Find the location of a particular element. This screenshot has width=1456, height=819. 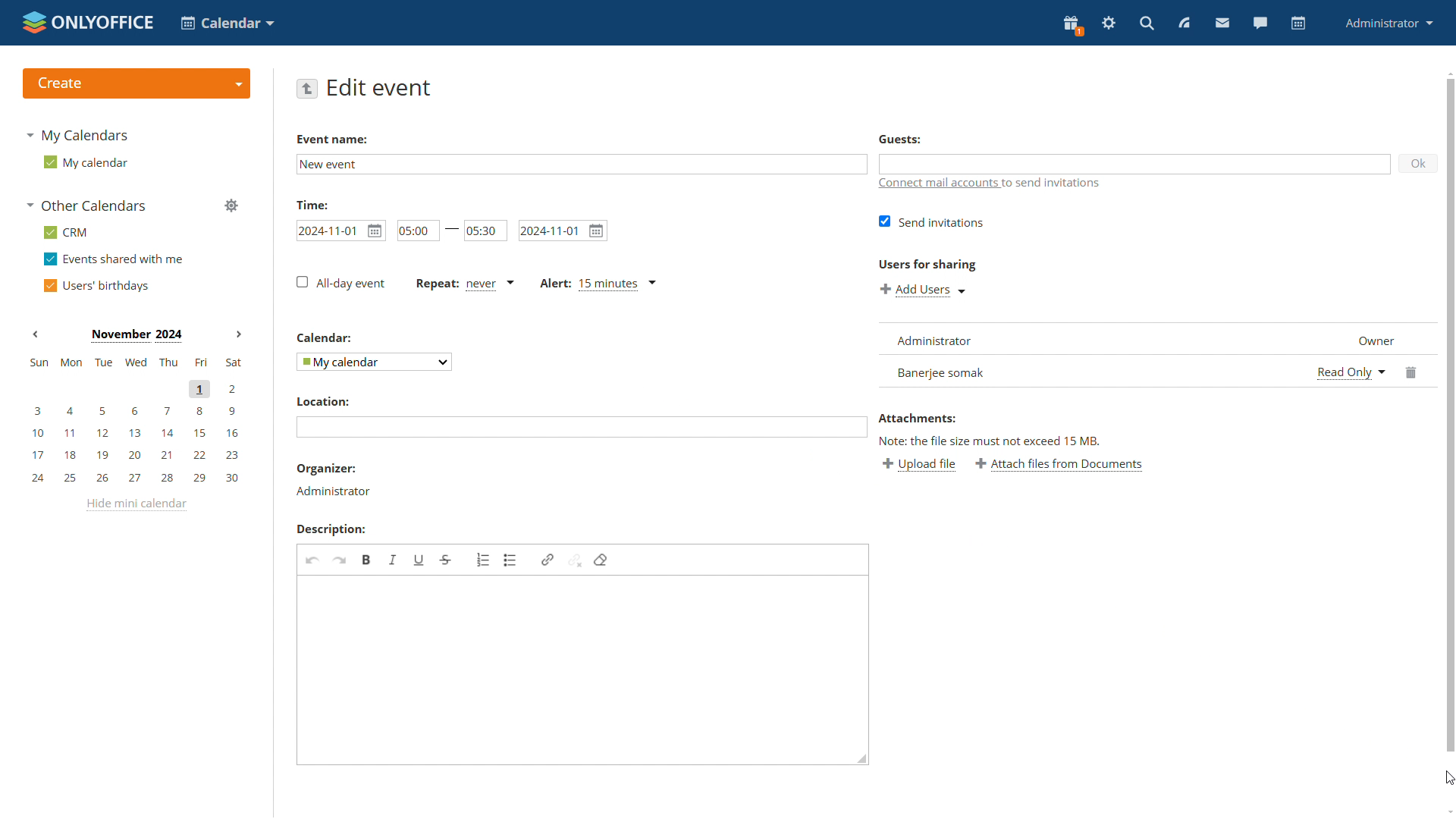

scrollbar is located at coordinates (1451, 414).